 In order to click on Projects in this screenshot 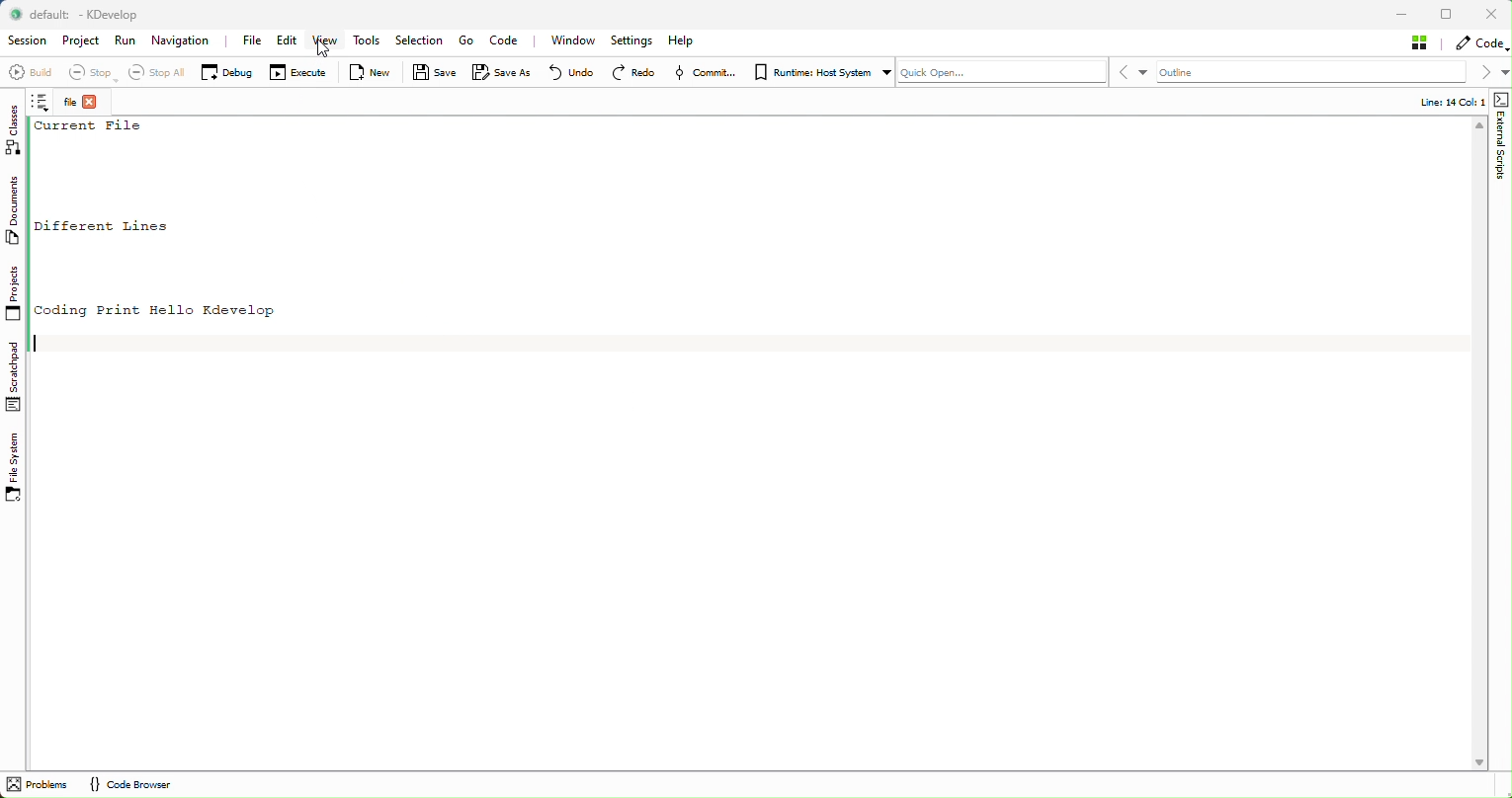, I will do `click(14, 296)`.